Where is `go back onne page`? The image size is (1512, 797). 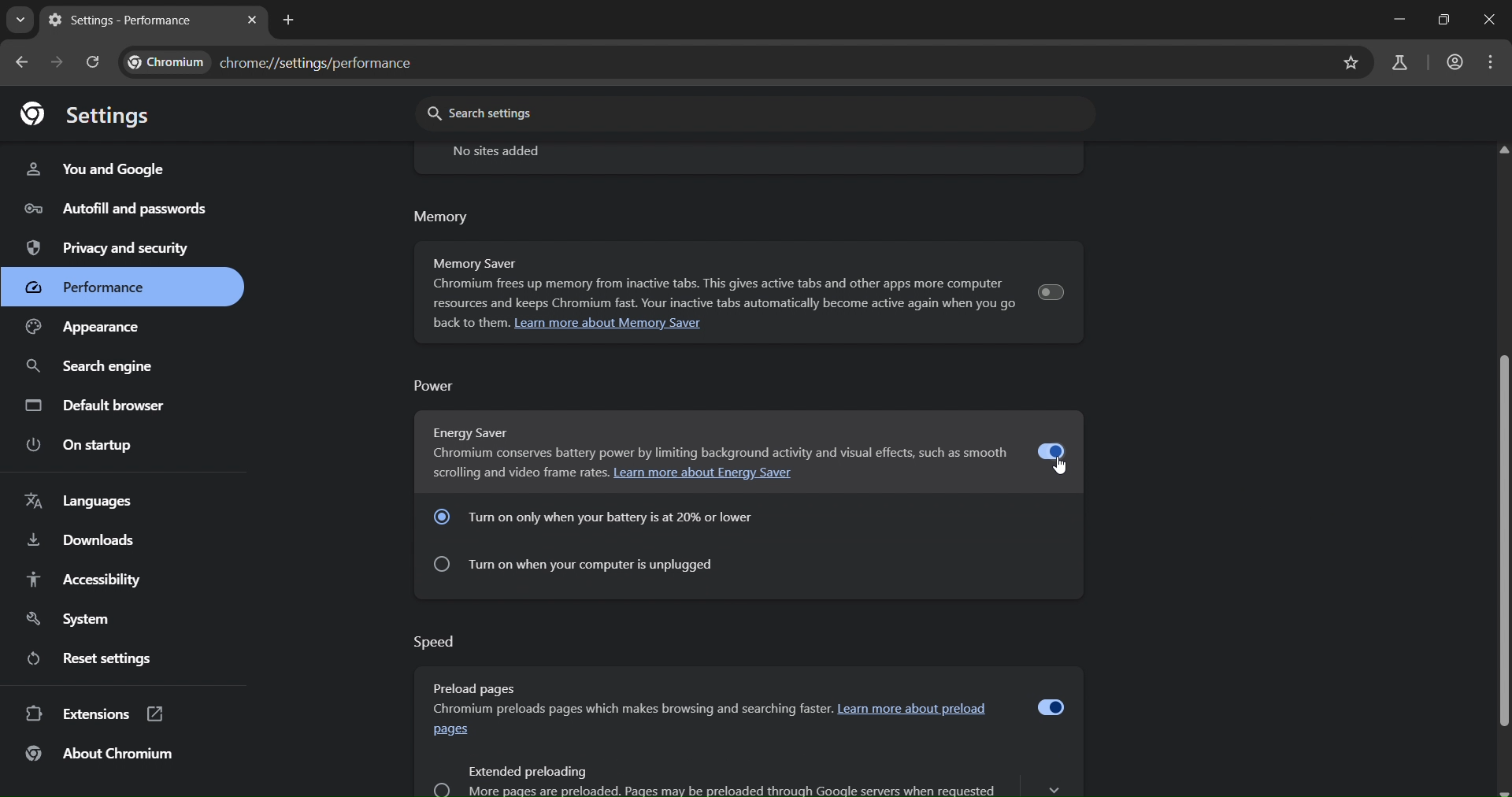
go back onne page is located at coordinates (20, 61).